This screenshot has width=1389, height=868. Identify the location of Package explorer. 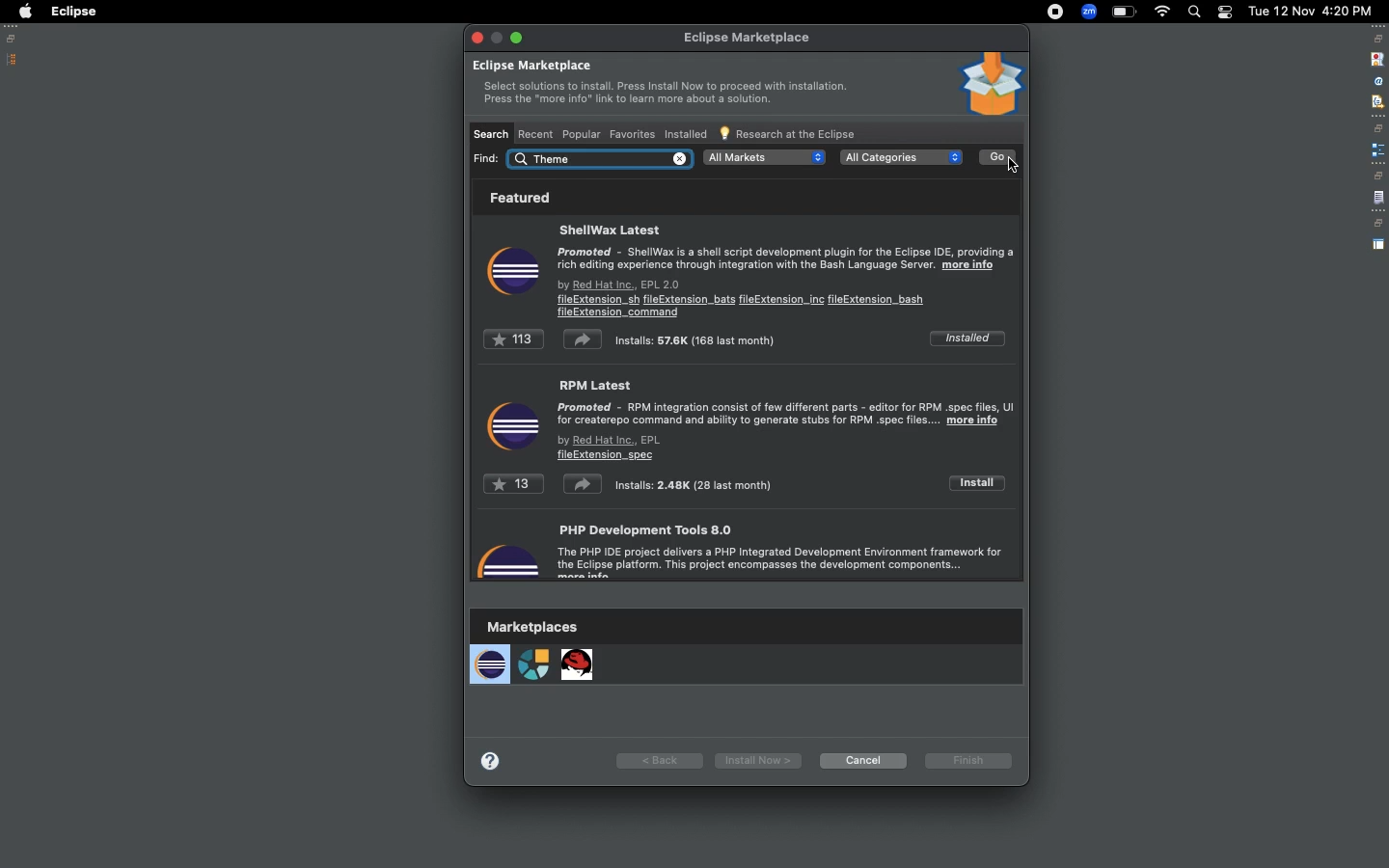
(13, 60).